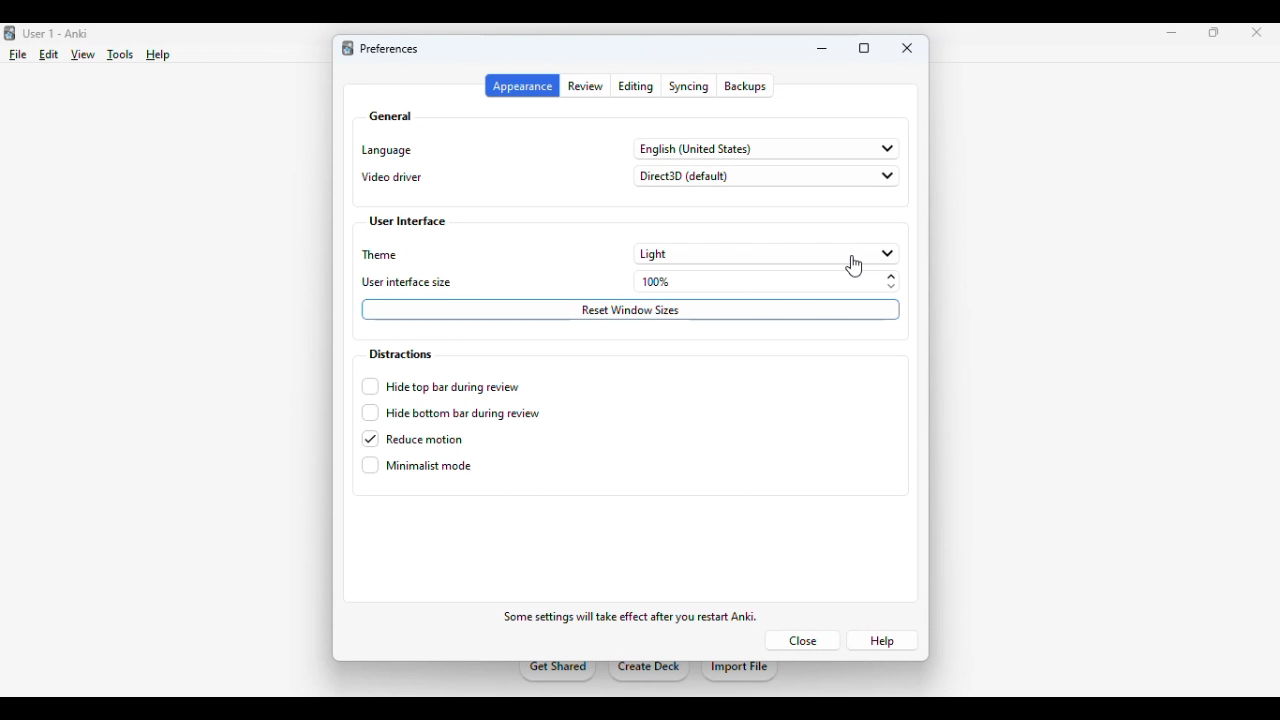 This screenshot has width=1280, height=720. What do you see at coordinates (386, 150) in the screenshot?
I see `language` at bounding box center [386, 150].